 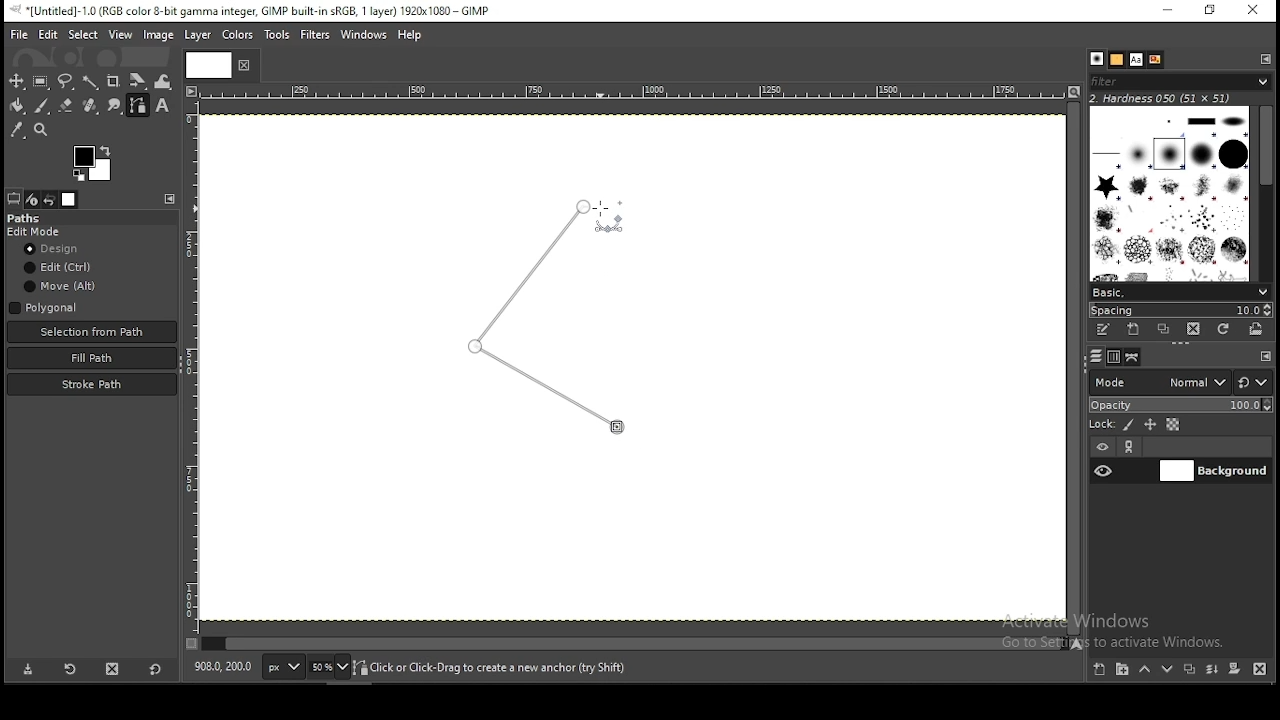 I want to click on move layer one step up, so click(x=1147, y=671).